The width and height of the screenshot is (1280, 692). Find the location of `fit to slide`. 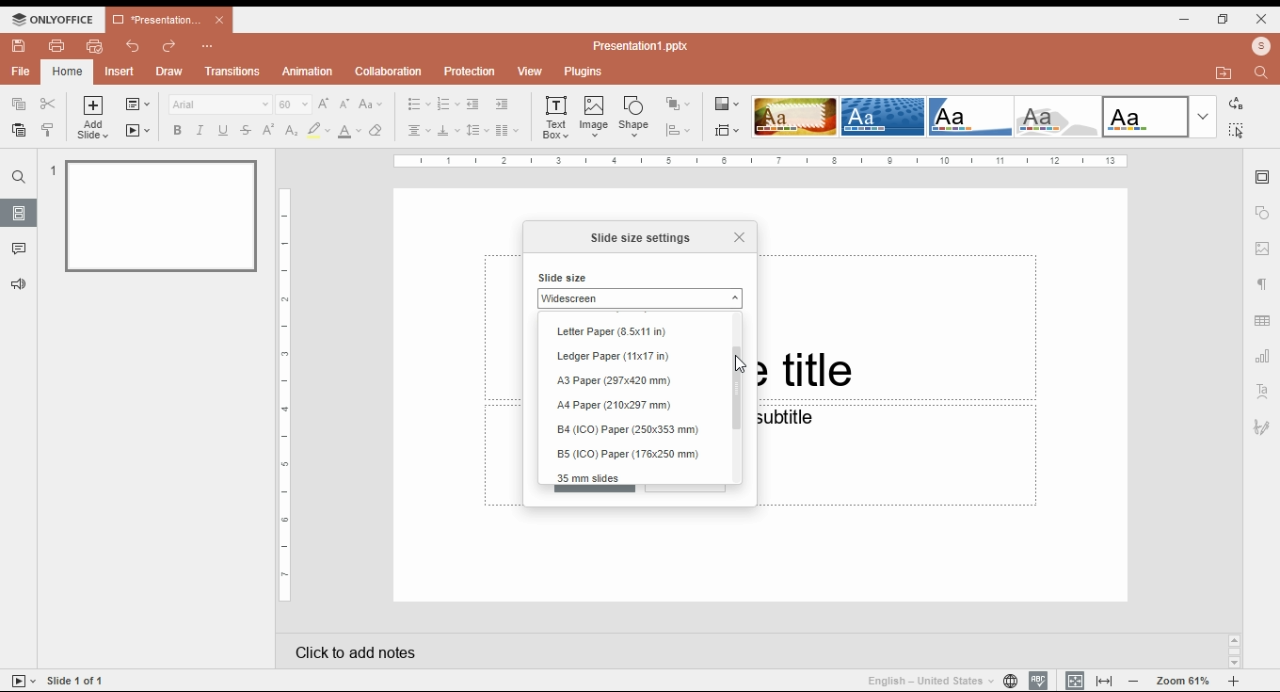

fit to slide is located at coordinates (1075, 680).